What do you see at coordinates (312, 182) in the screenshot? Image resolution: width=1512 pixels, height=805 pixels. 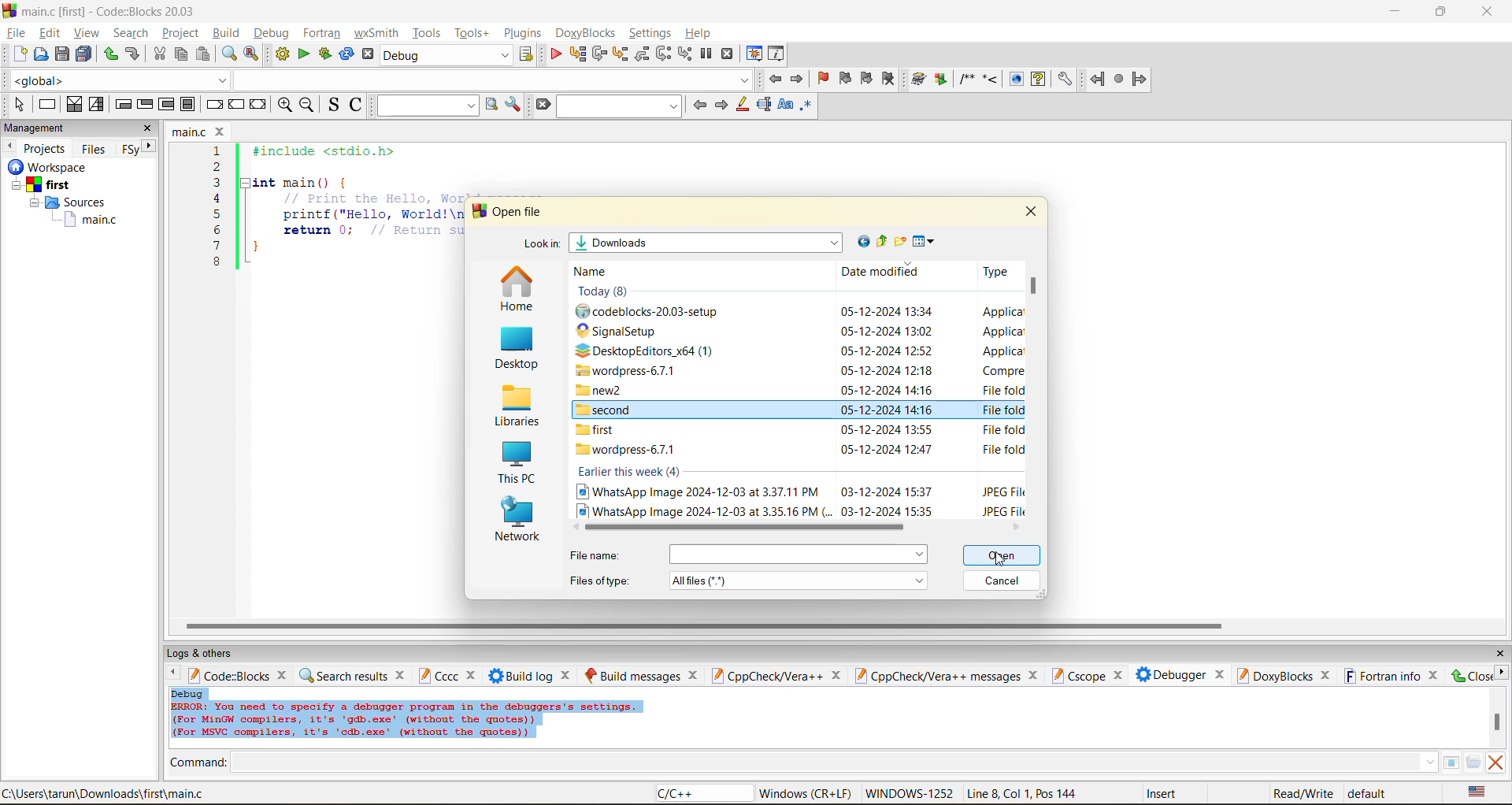 I see `int main(){` at bounding box center [312, 182].